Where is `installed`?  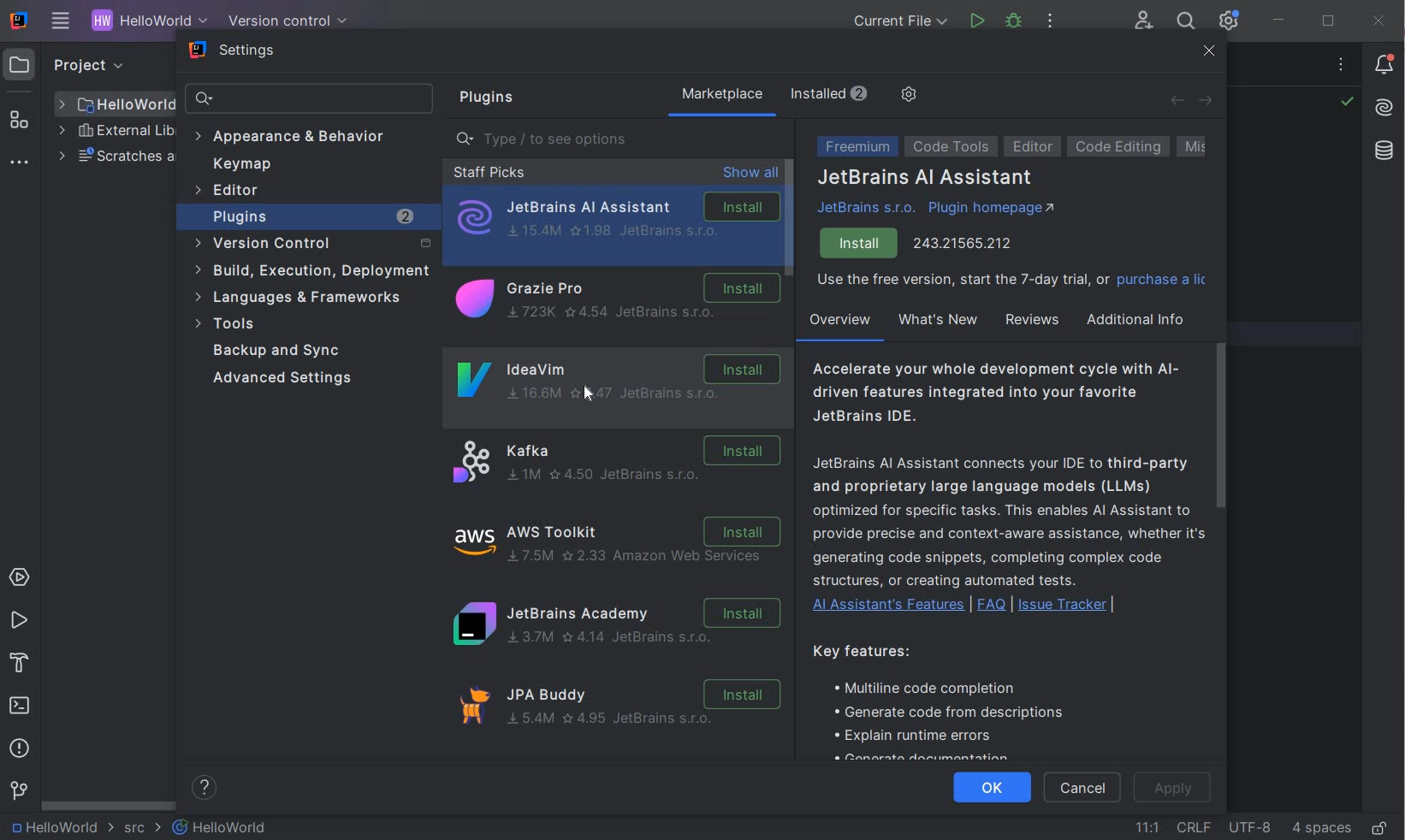
installed is located at coordinates (833, 93).